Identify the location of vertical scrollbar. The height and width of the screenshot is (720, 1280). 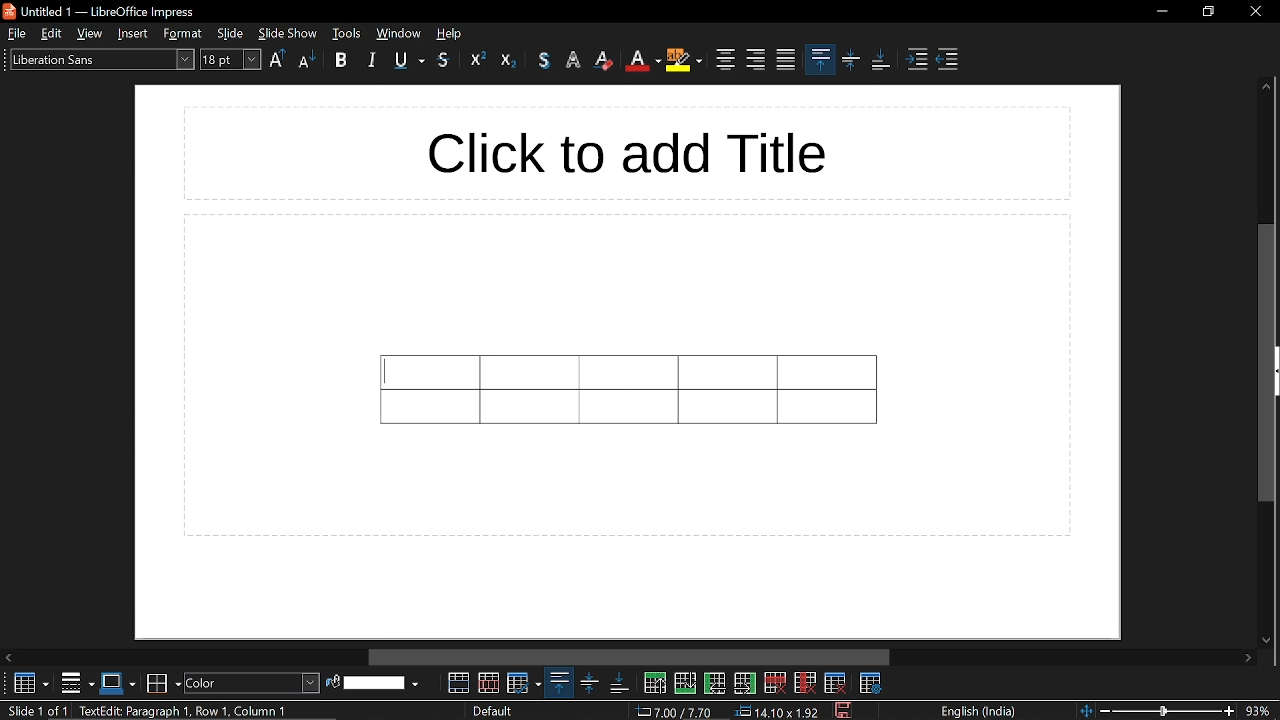
(1263, 364).